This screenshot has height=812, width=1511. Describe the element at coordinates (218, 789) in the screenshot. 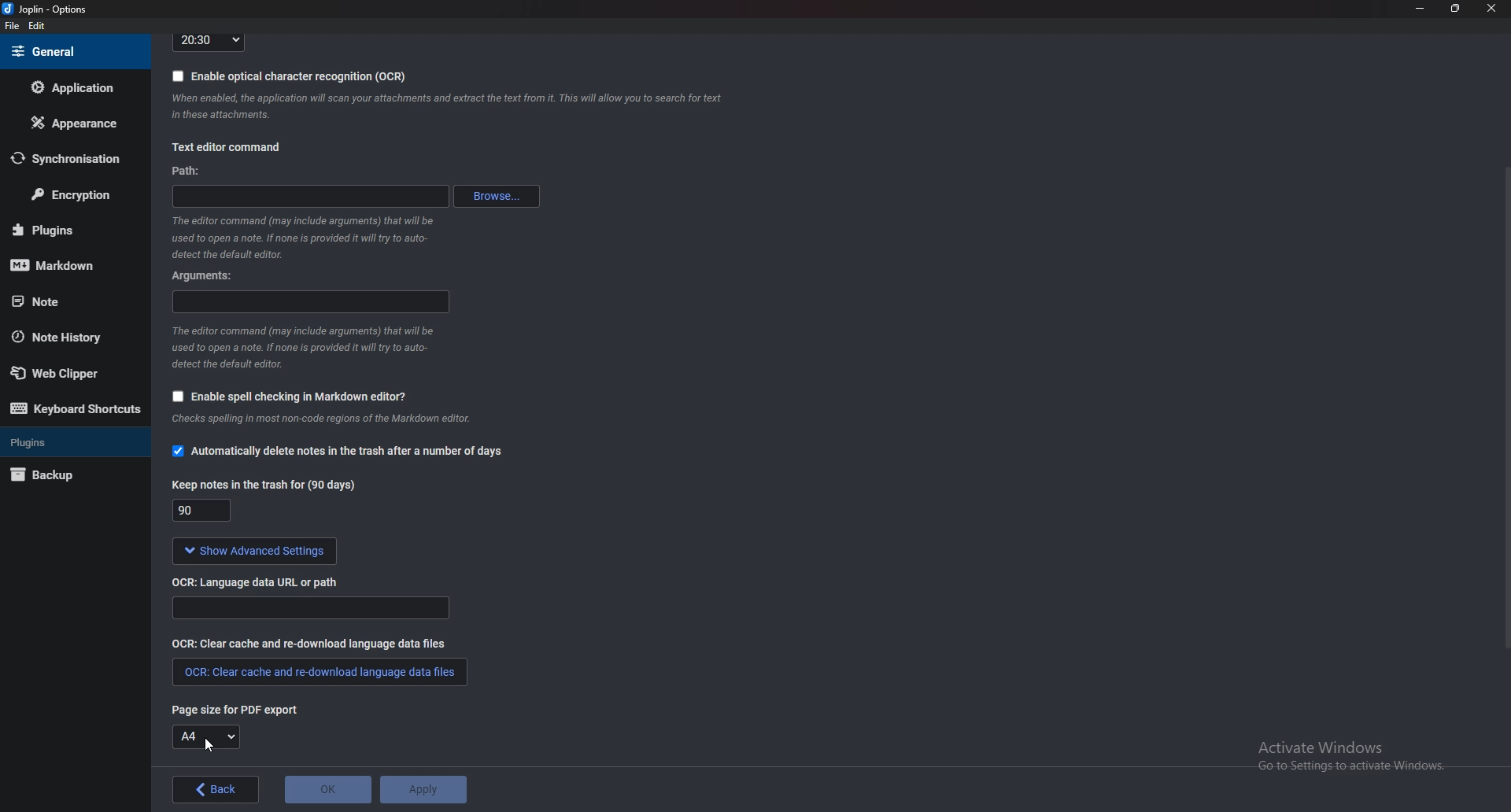

I see `back` at that location.